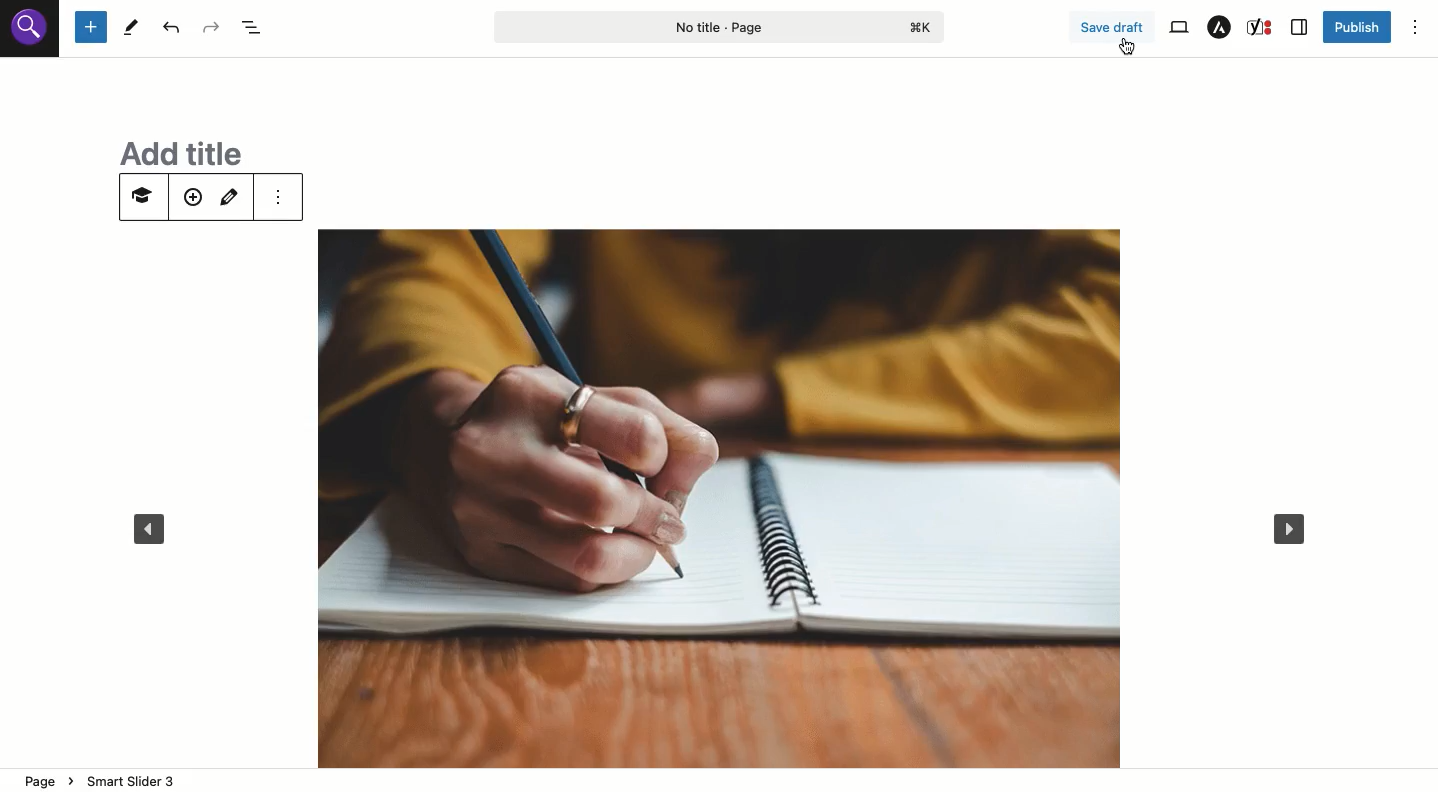  I want to click on Redo, so click(210, 28).